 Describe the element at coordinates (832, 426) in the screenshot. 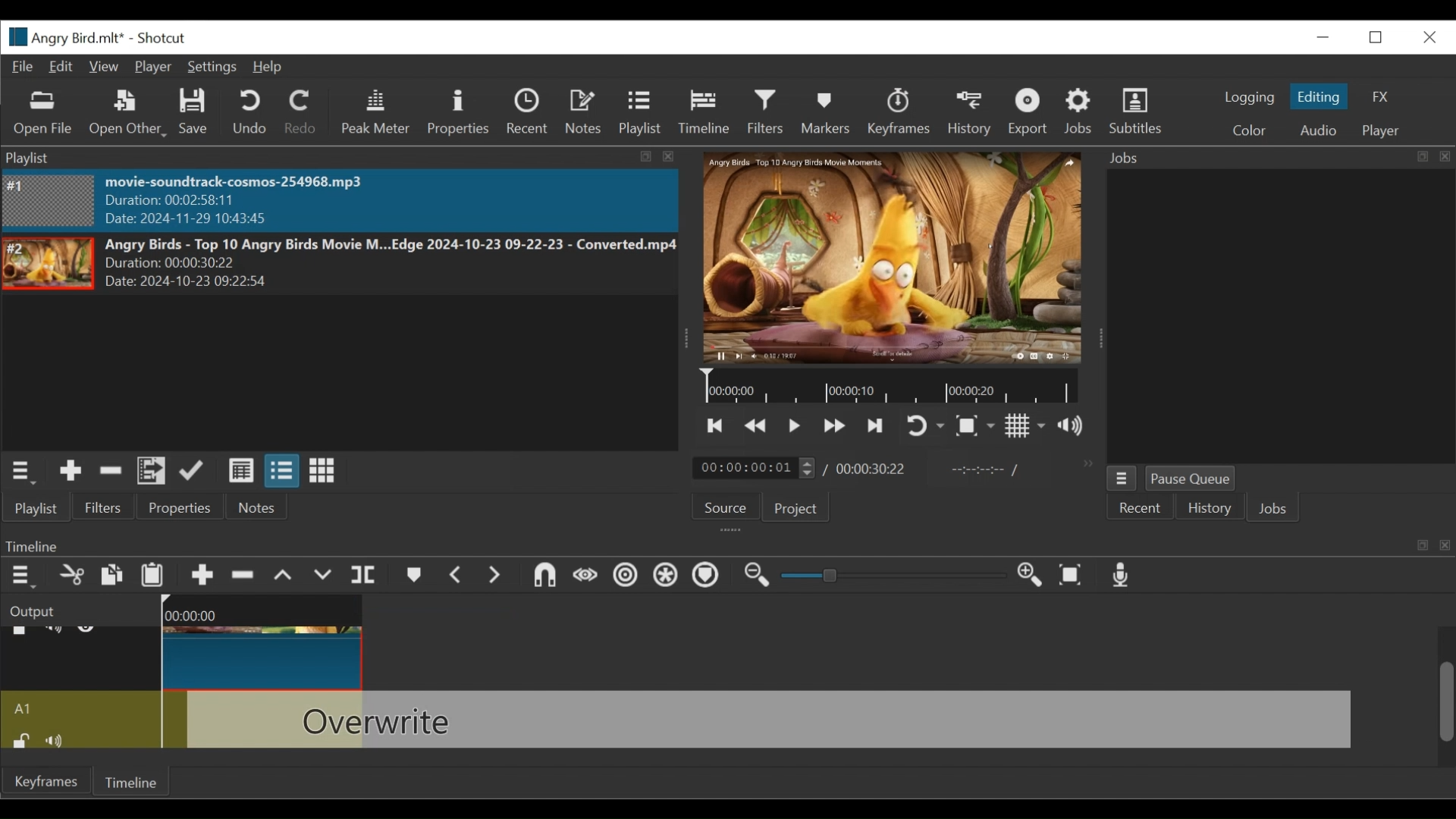

I see `Play quickly forward` at that location.